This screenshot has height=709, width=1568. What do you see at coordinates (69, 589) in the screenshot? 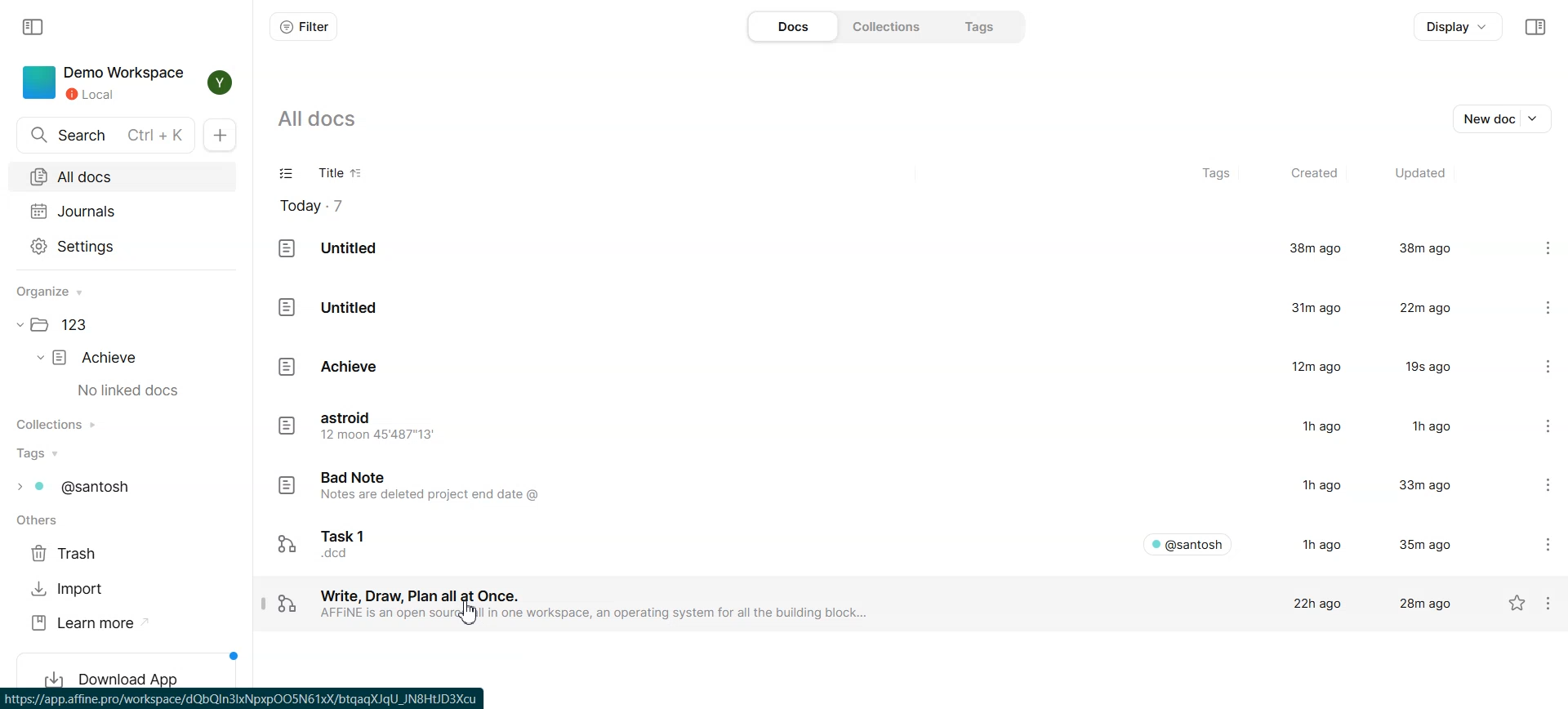
I see `Import` at bounding box center [69, 589].